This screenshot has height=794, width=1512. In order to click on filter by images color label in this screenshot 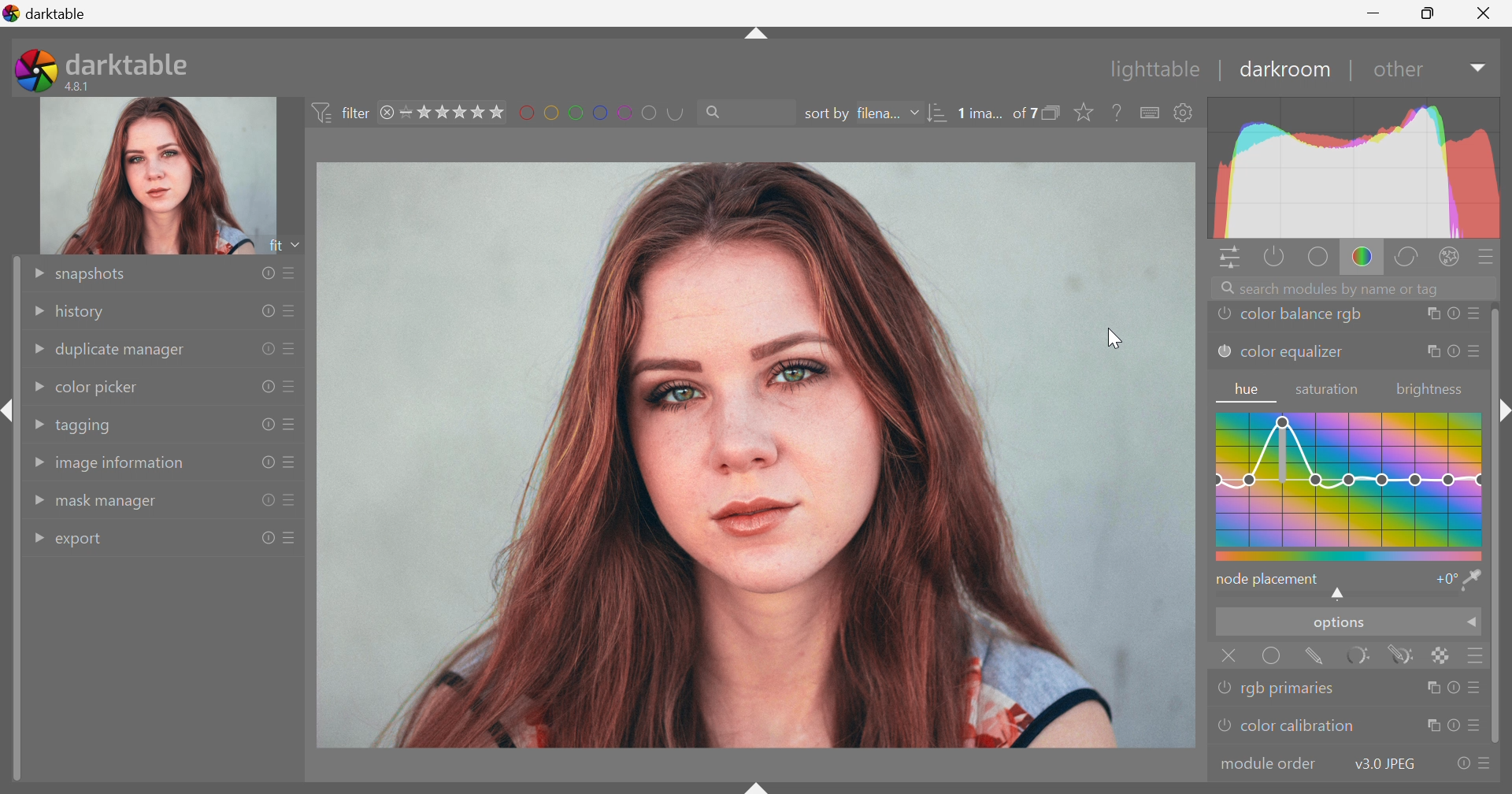, I will do `click(606, 112)`.